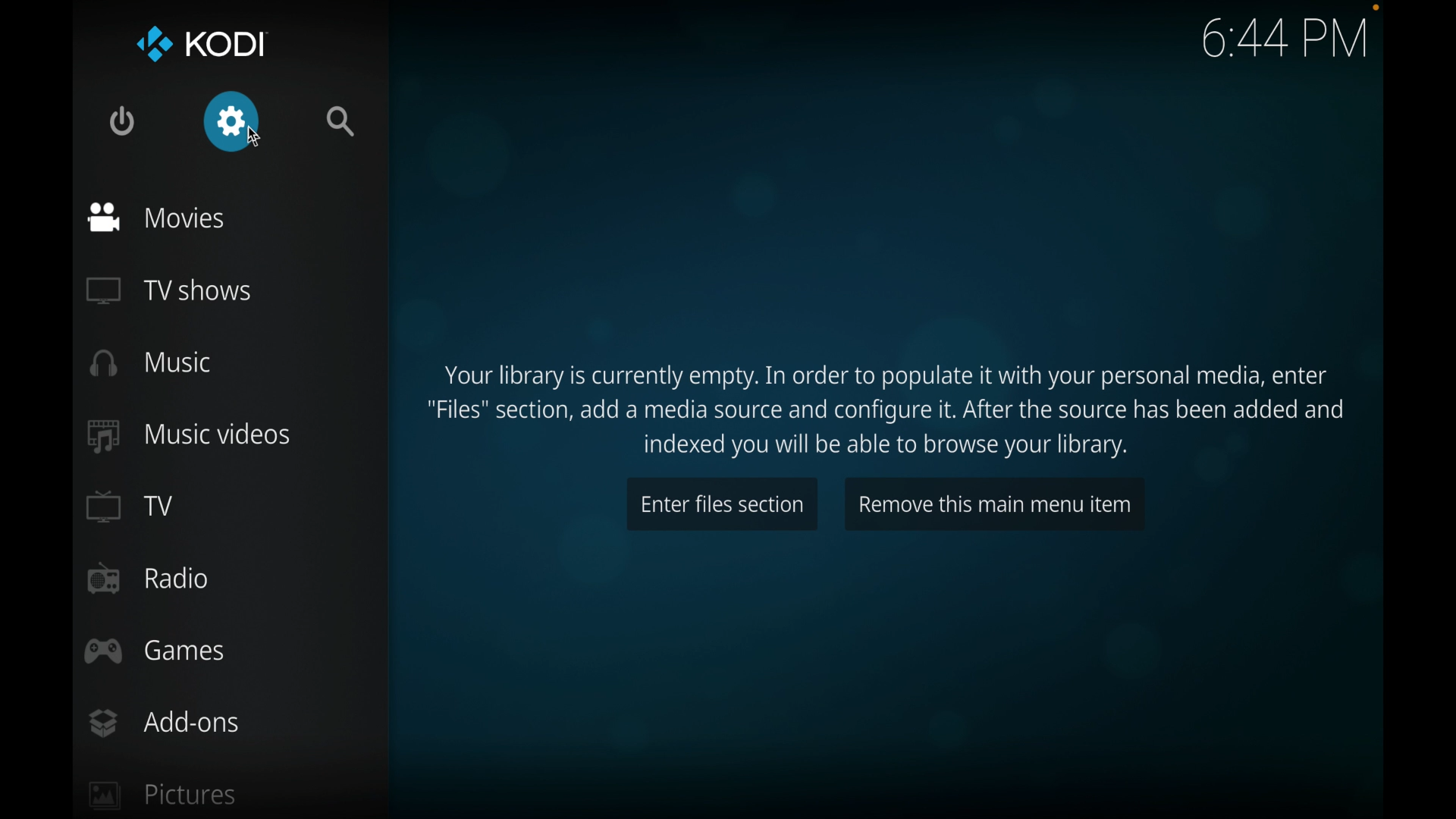 This screenshot has height=819, width=1456. What do you see at coordinates (130, 505) in the screenshot?
I see `TV` at bounding box center [130, 505].